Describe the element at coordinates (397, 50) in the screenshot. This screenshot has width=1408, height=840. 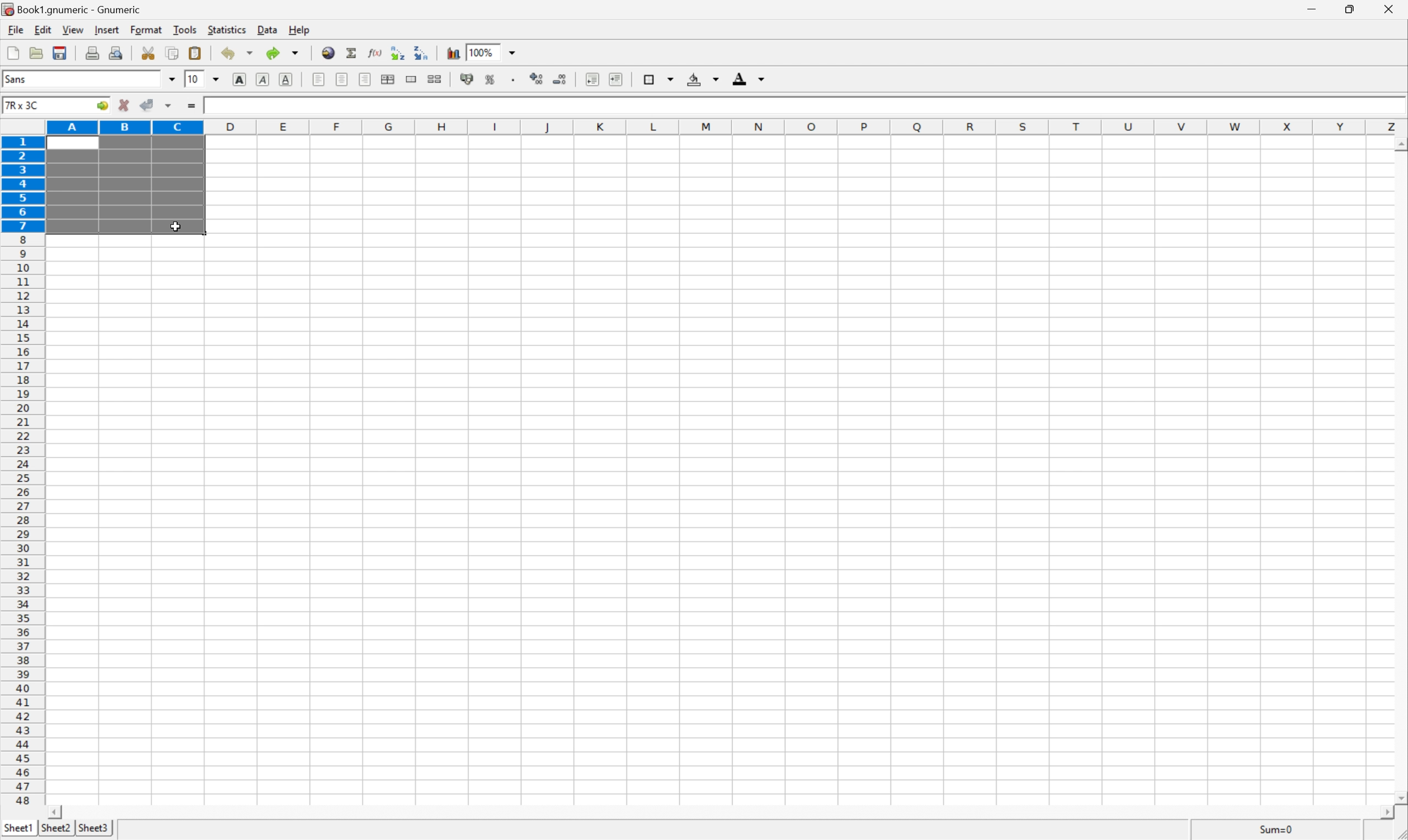
I see `Sort the selected region in ascending order based on the first column selected` at that location.